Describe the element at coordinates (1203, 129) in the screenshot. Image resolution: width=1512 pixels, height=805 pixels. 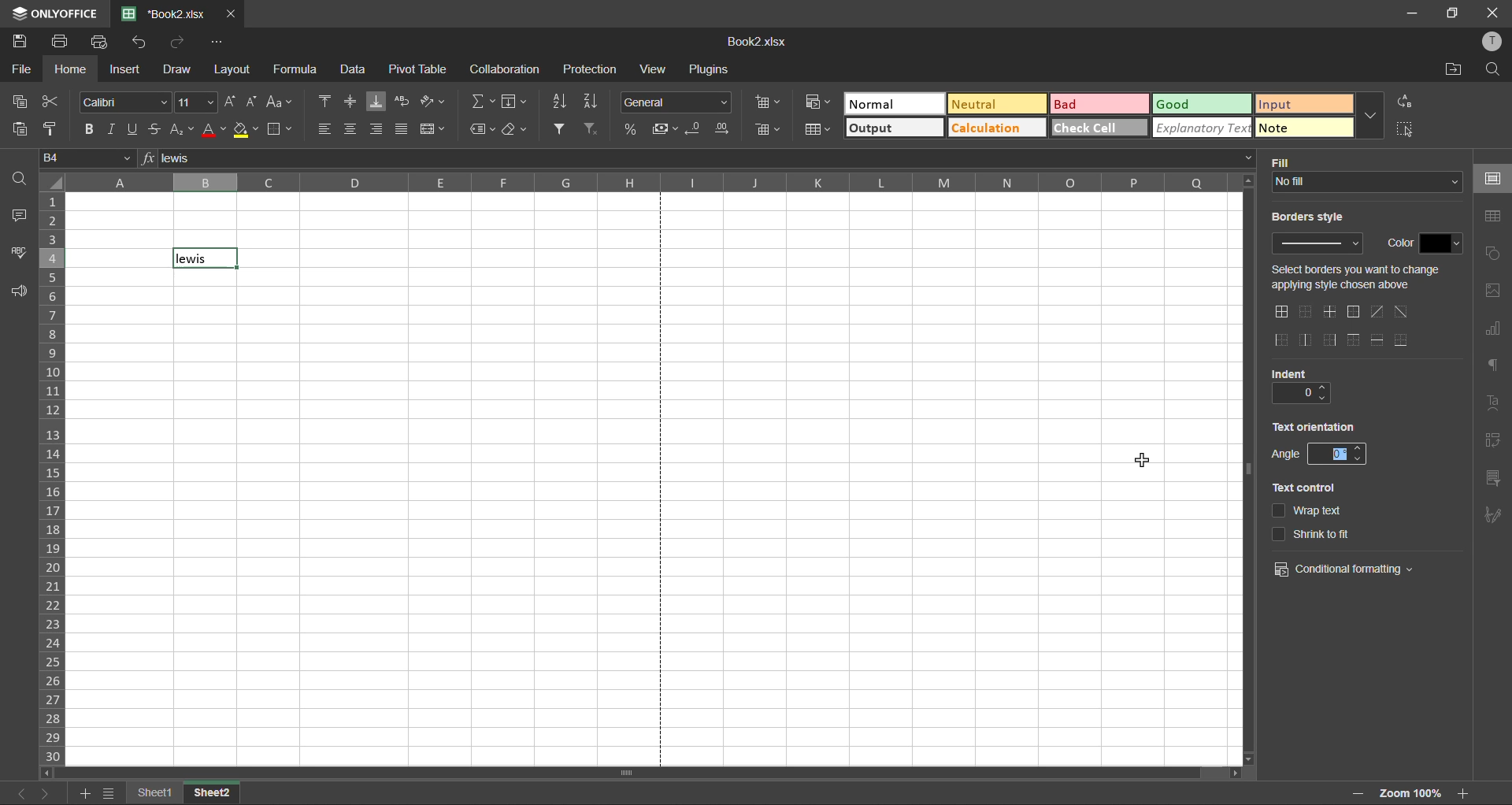
I see `explanatory text` at that location.